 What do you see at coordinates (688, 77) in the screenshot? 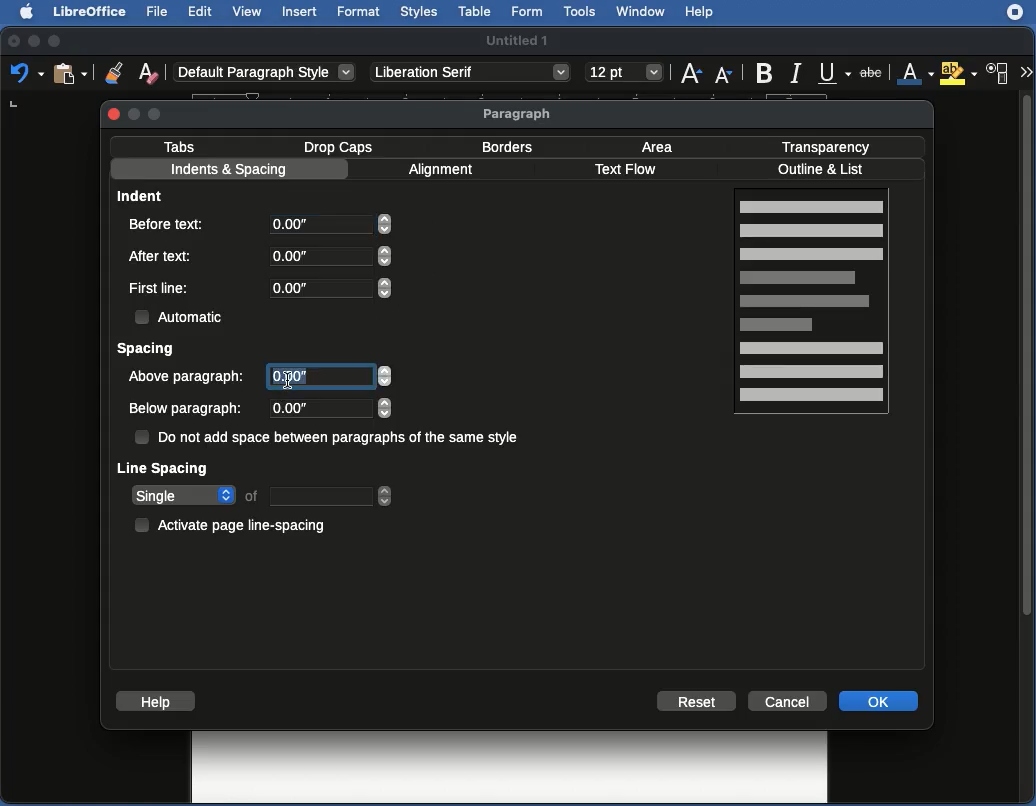
I see `font size increase` at bounding box center [688, 77].